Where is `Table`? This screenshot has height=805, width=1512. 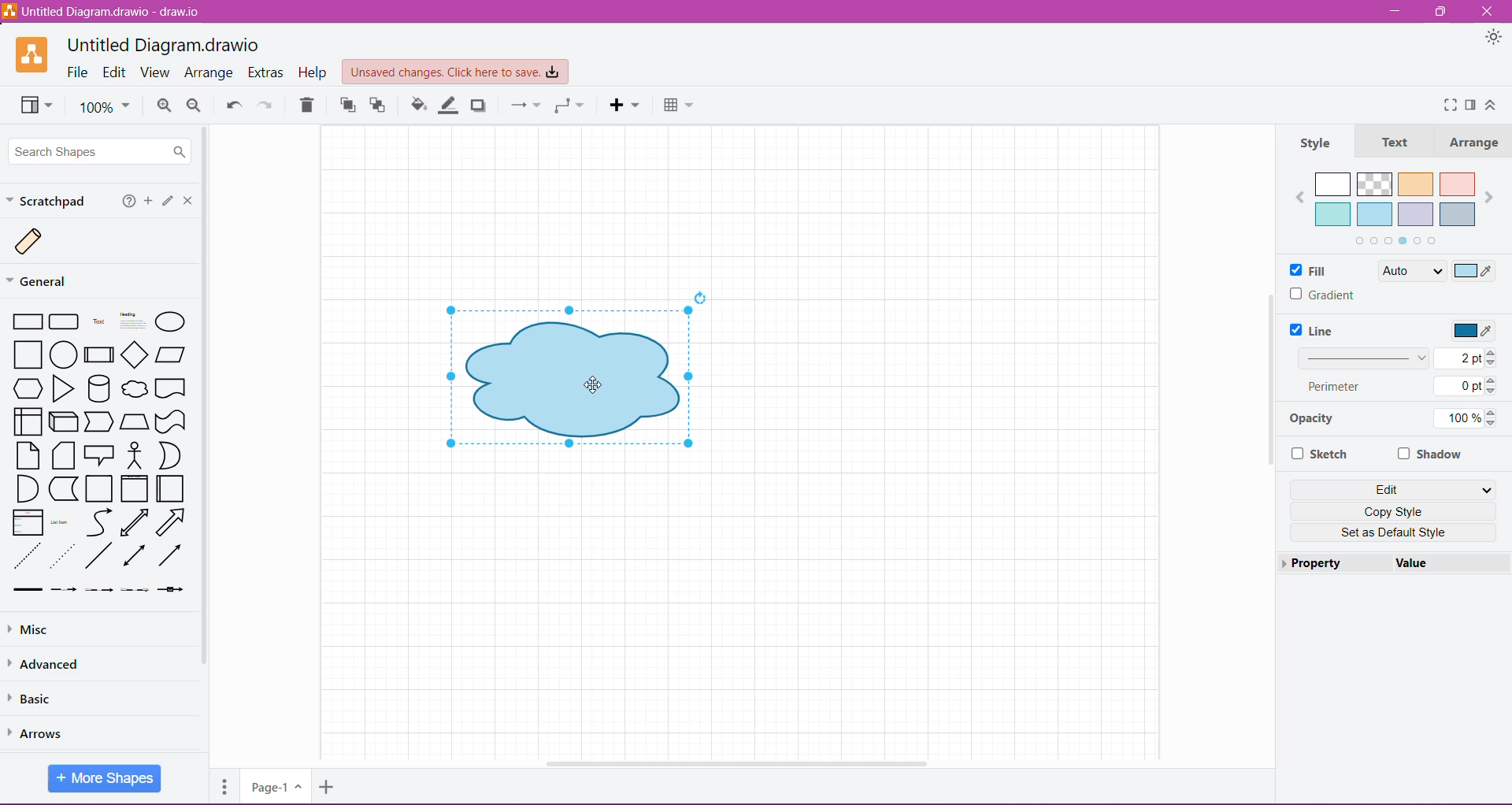
Table is located at coordinates (678, 106).